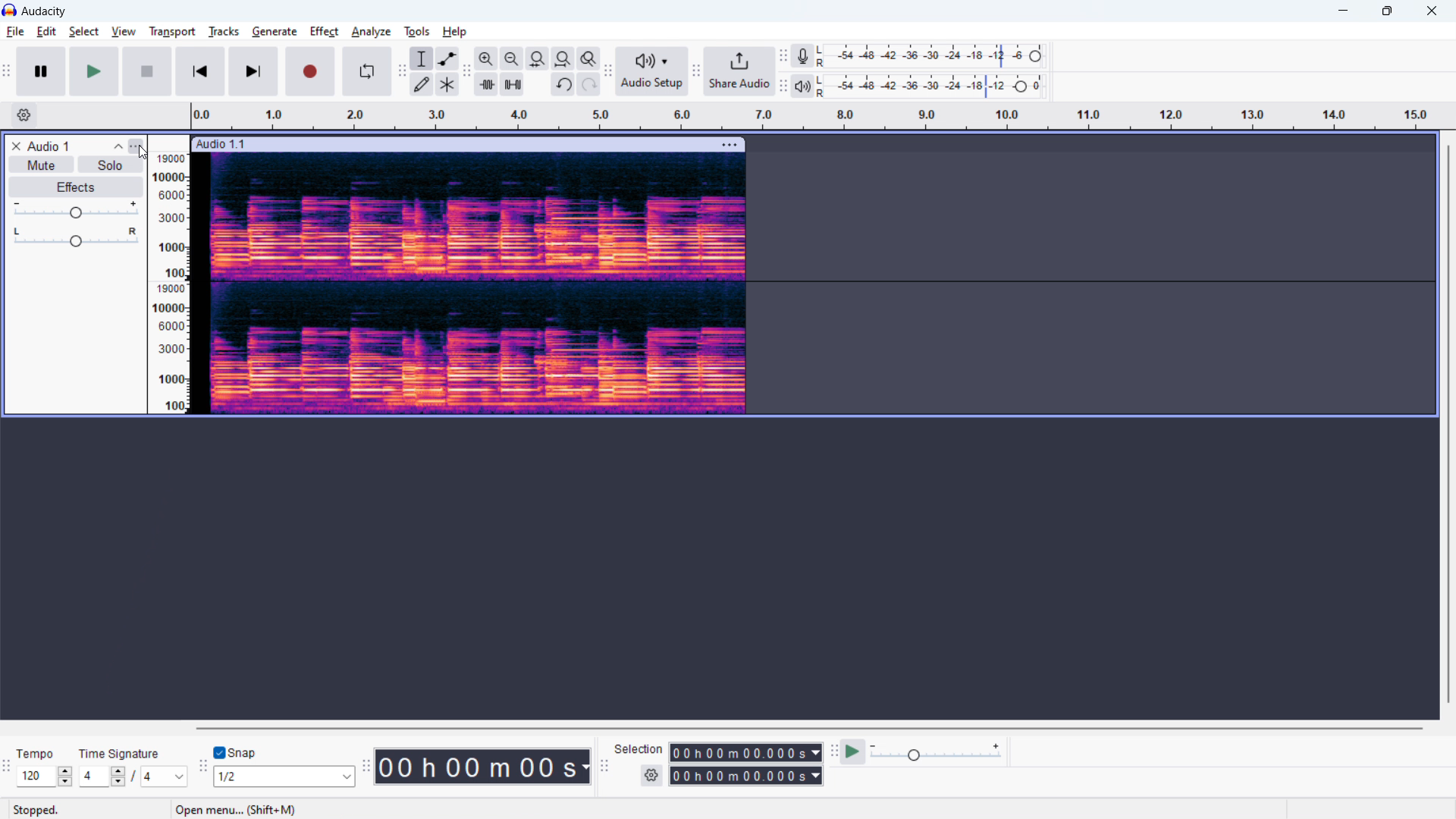 The height and width of the screenshot is (819, 1456). I want to click on skip to end, so click(253, 71).